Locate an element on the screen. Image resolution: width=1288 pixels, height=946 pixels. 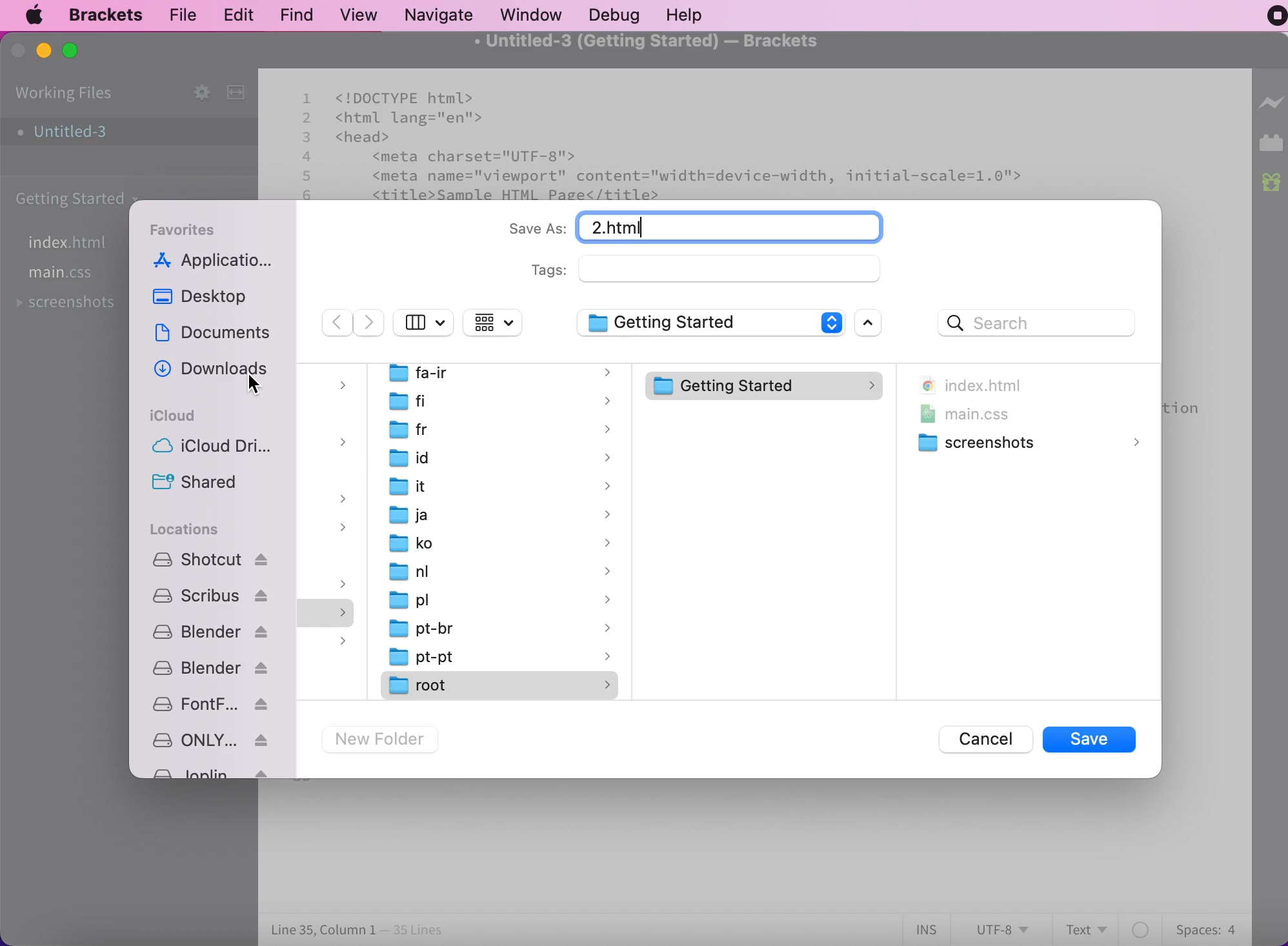
next is located at coordinates (370, 321).